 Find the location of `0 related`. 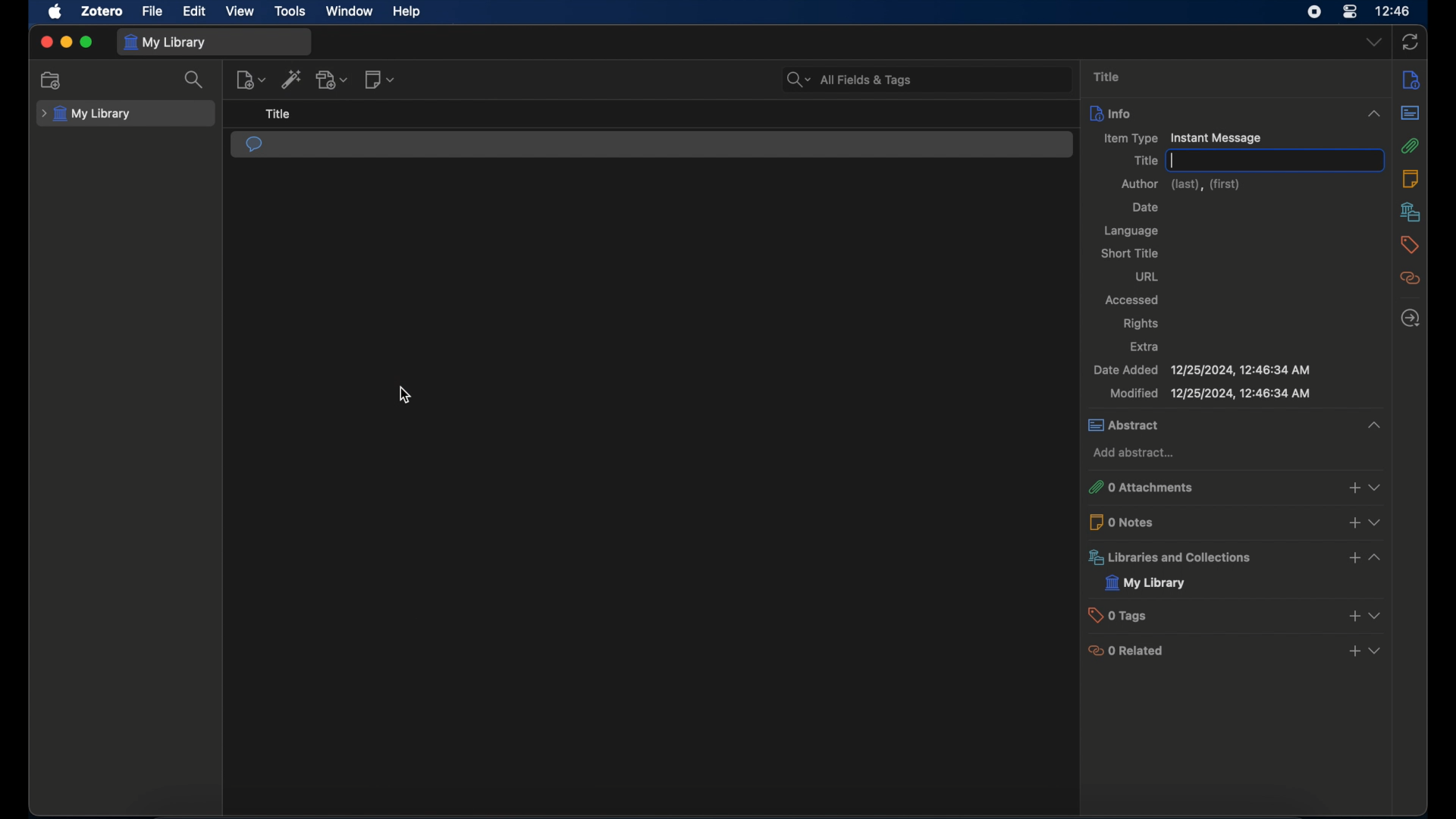

0 related is located at coordinates (1234, 651).